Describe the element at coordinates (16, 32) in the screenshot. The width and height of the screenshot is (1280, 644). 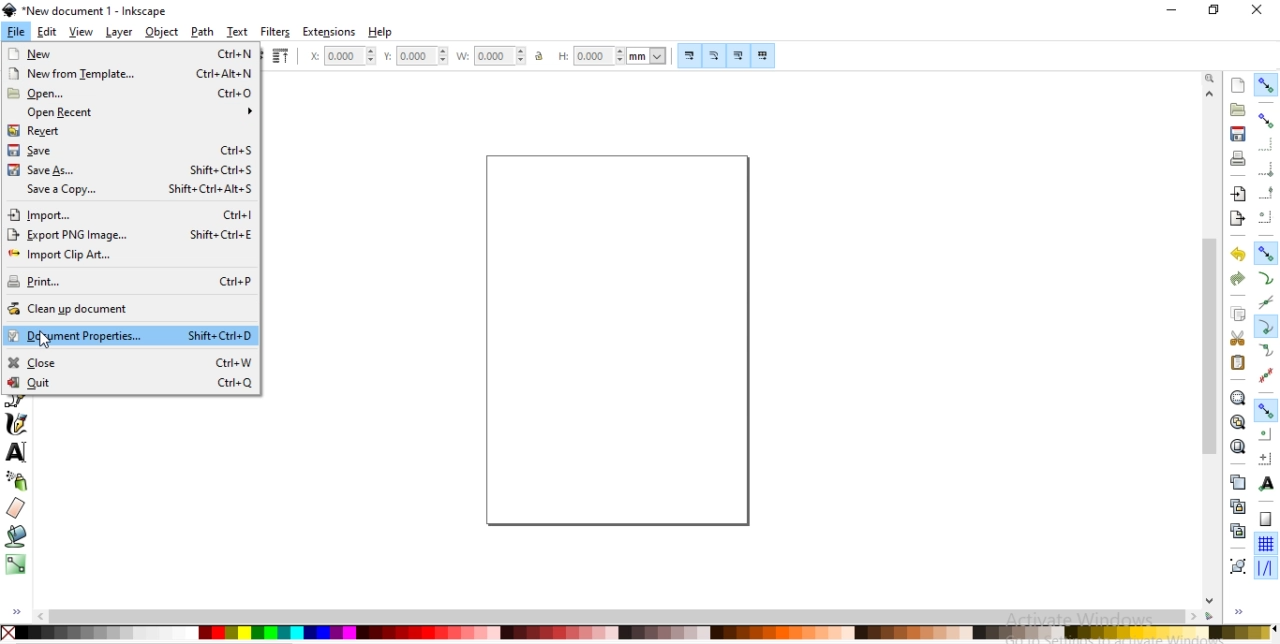
I see `file` at that location.